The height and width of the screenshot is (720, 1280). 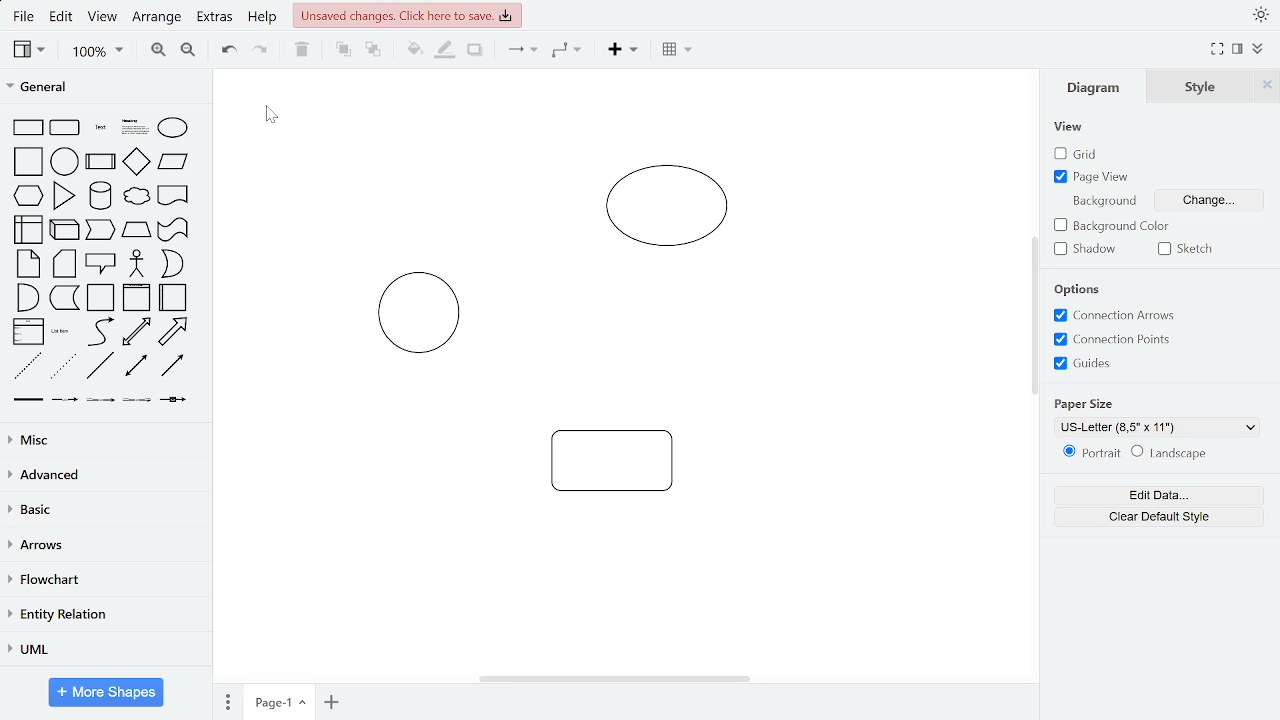 I want to click on tape, so click(x=174, y=230).